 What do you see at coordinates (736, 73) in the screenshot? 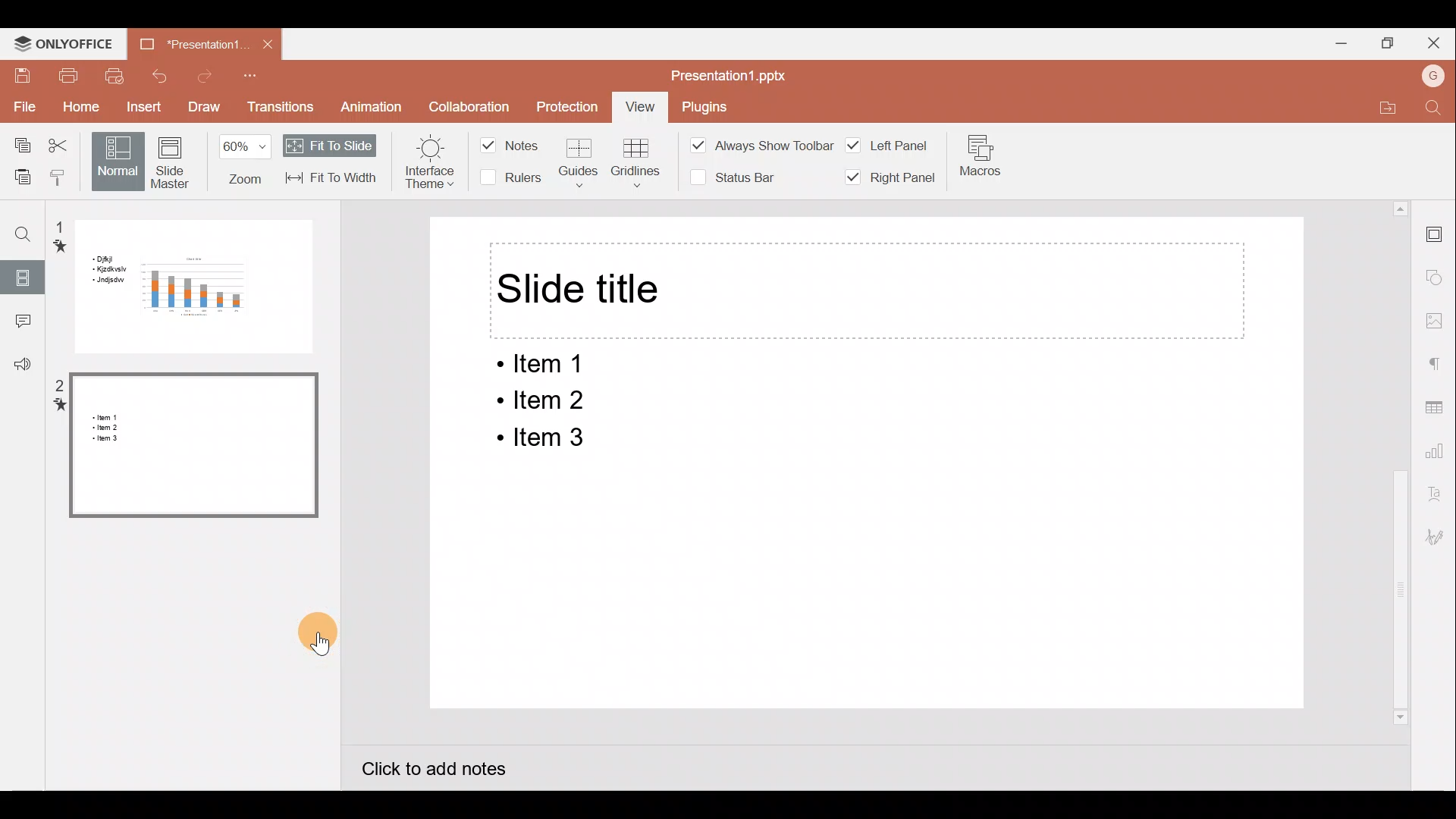
I see `Presentation1.pptx` at bounding box center [736, 73].